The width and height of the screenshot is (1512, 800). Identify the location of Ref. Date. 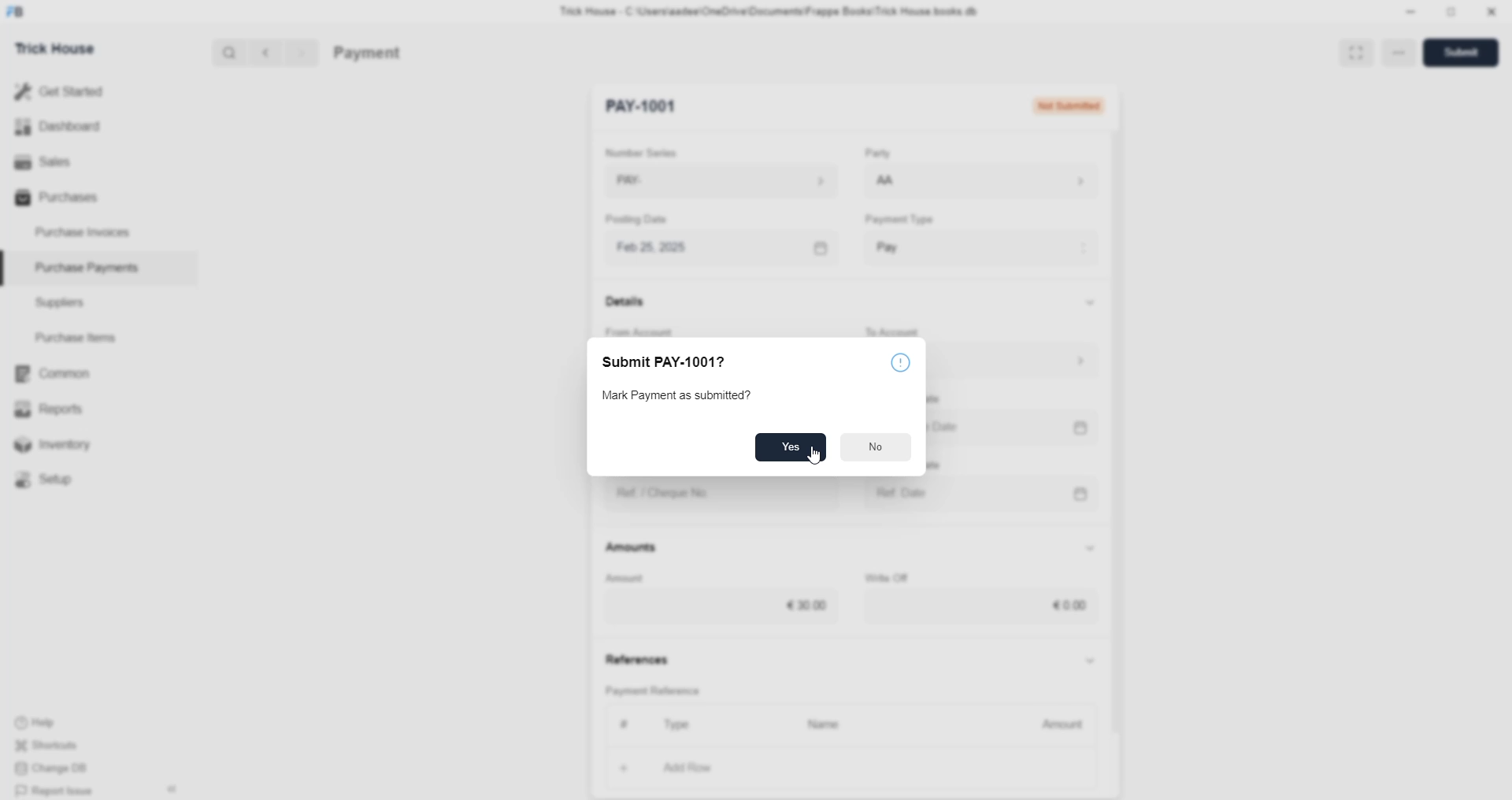
(913, 490).